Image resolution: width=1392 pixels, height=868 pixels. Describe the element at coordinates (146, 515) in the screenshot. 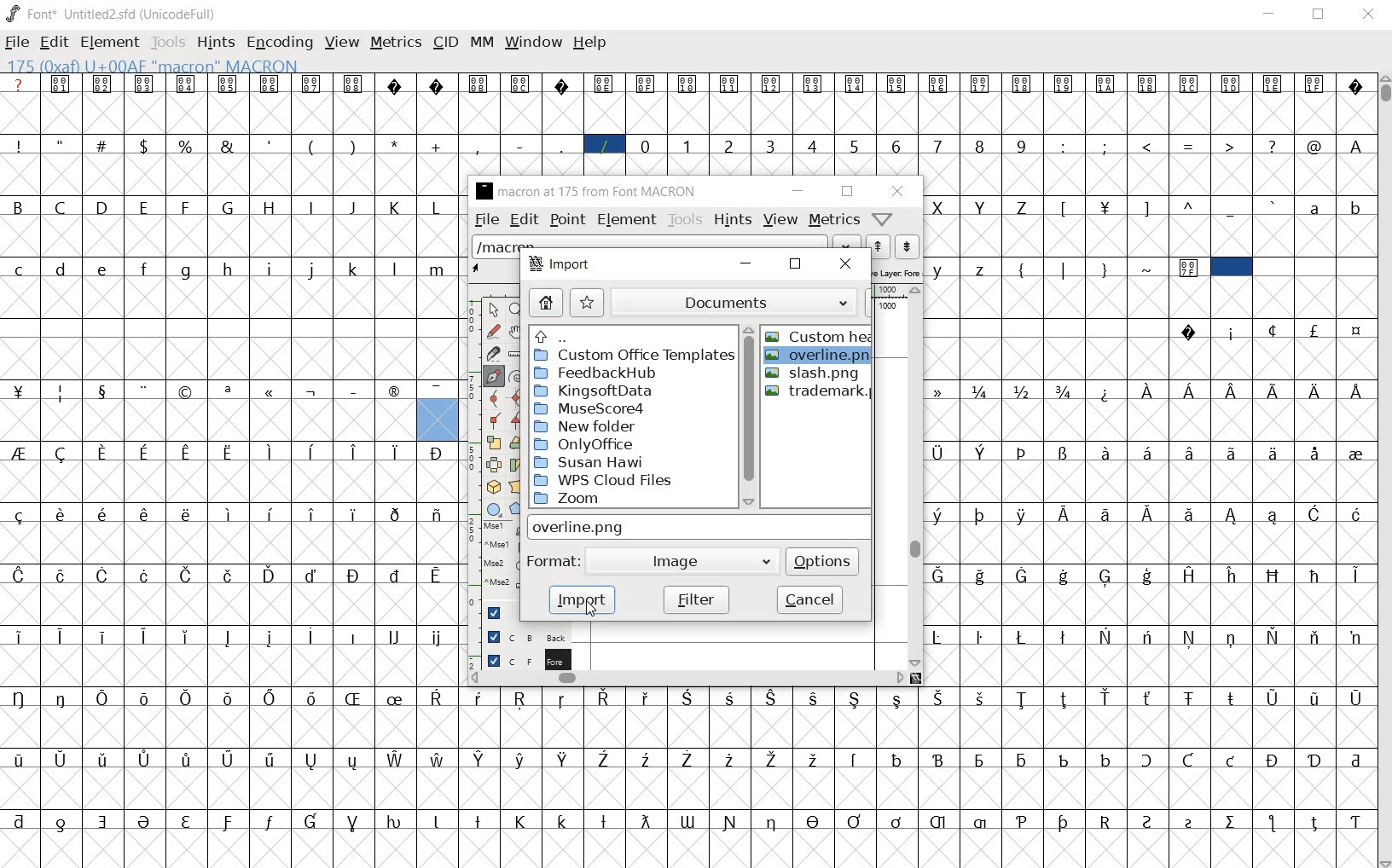

I see `Symbol` at that location.